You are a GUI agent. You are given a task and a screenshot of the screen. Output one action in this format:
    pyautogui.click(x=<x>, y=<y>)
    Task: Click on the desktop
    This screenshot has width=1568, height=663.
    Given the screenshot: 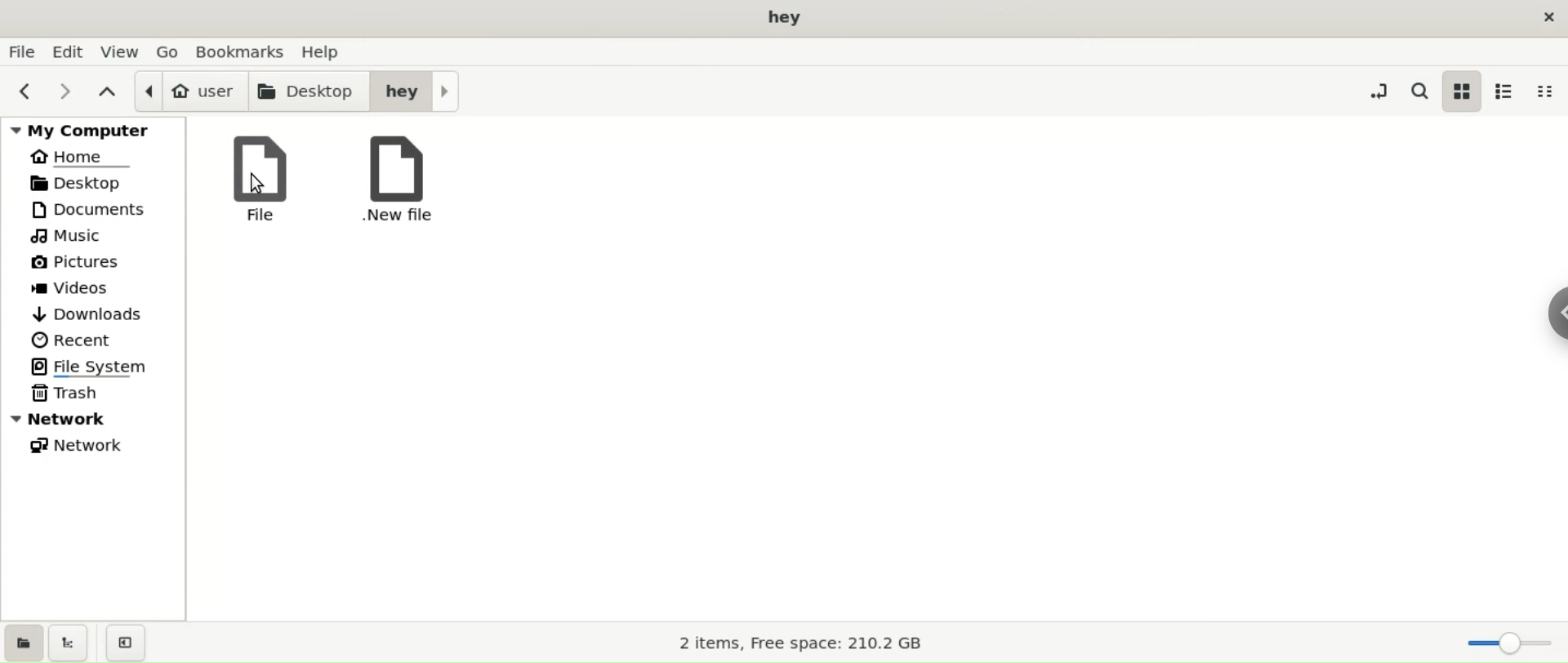 What is the action you would take?
    pyautogui.click(x=787, y=19)
    